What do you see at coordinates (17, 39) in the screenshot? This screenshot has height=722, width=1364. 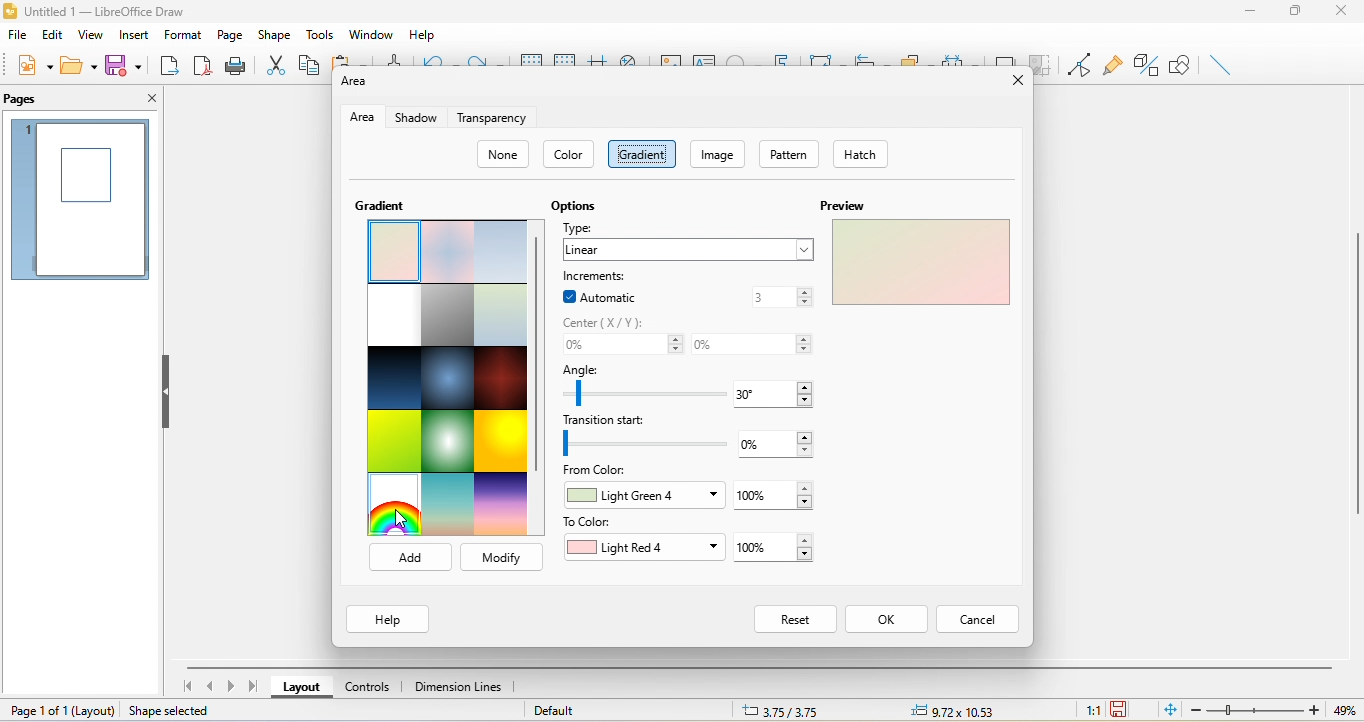 I see `file` at bounding box center [17, 39].